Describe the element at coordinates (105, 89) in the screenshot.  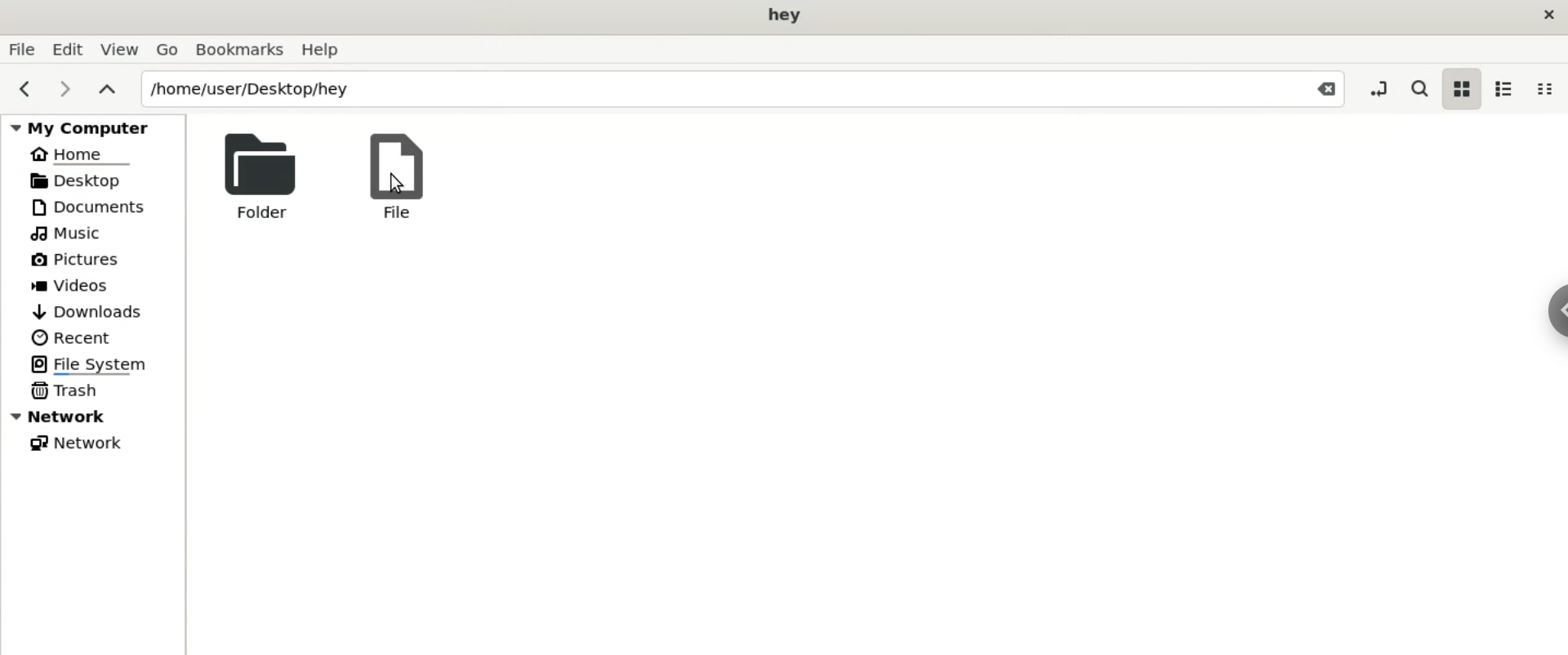
I see `parent folders` at that location.